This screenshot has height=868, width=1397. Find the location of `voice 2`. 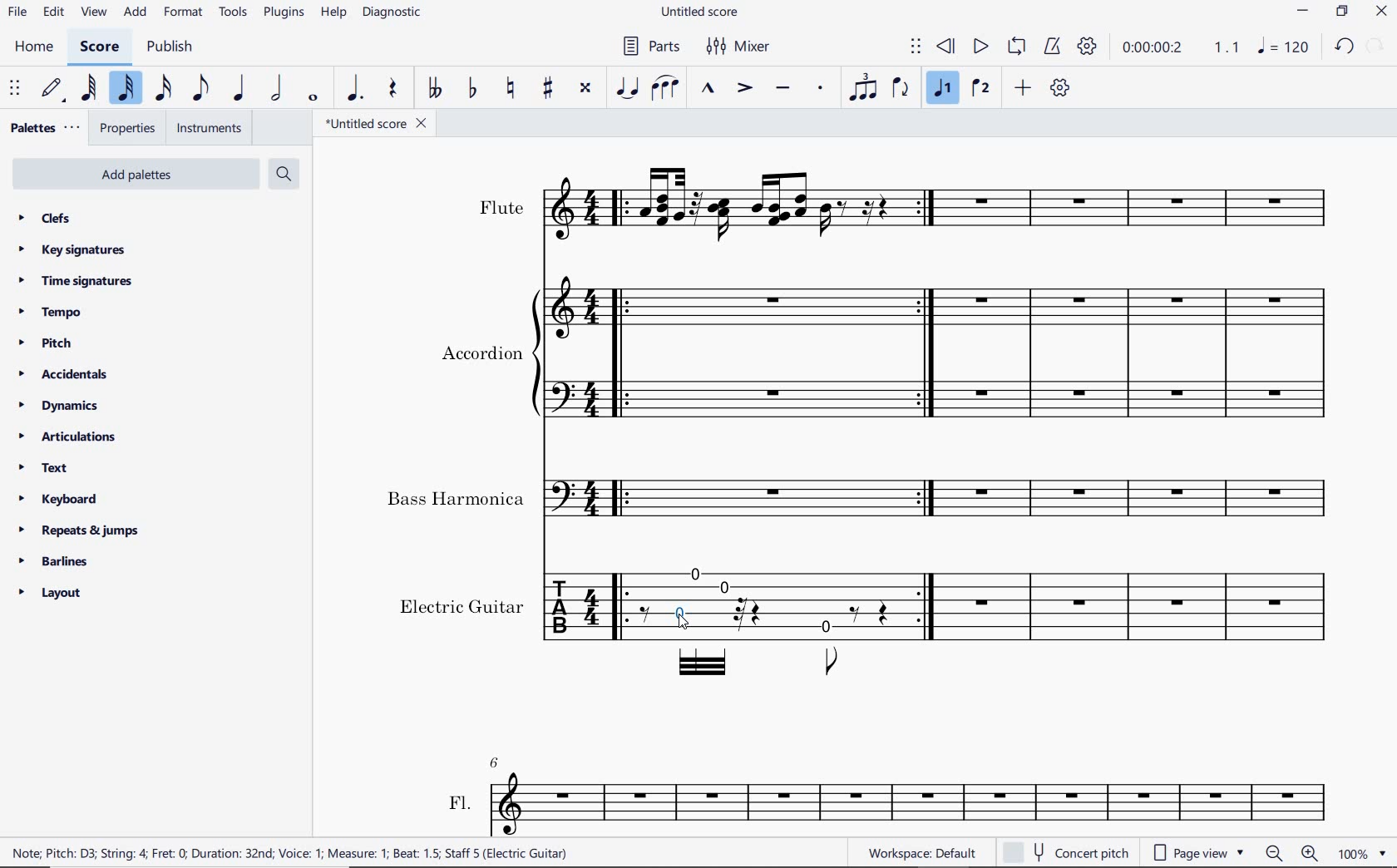

voice 2 is located at coordinates (982, 89).